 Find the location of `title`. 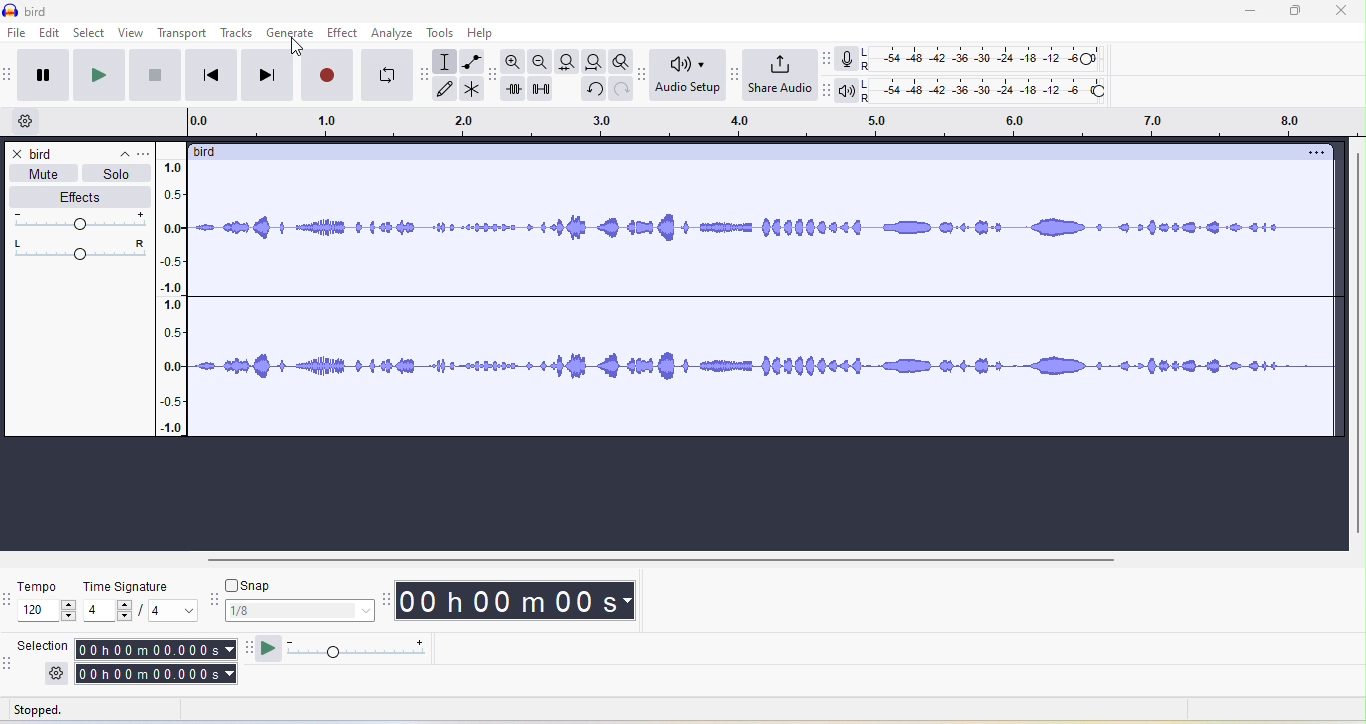

title is located at coordinates (30, 9).